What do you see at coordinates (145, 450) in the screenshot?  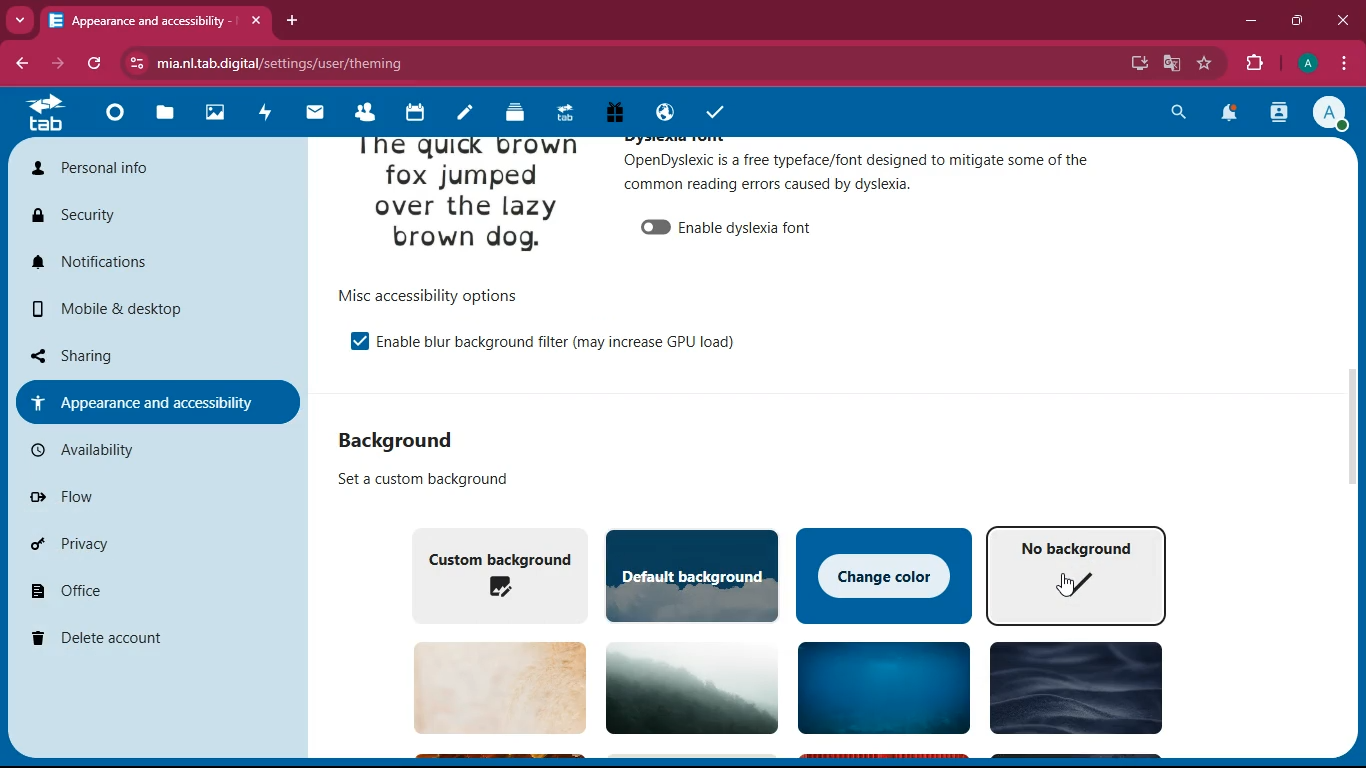 I see `availability` at bounding box center [145, 450].